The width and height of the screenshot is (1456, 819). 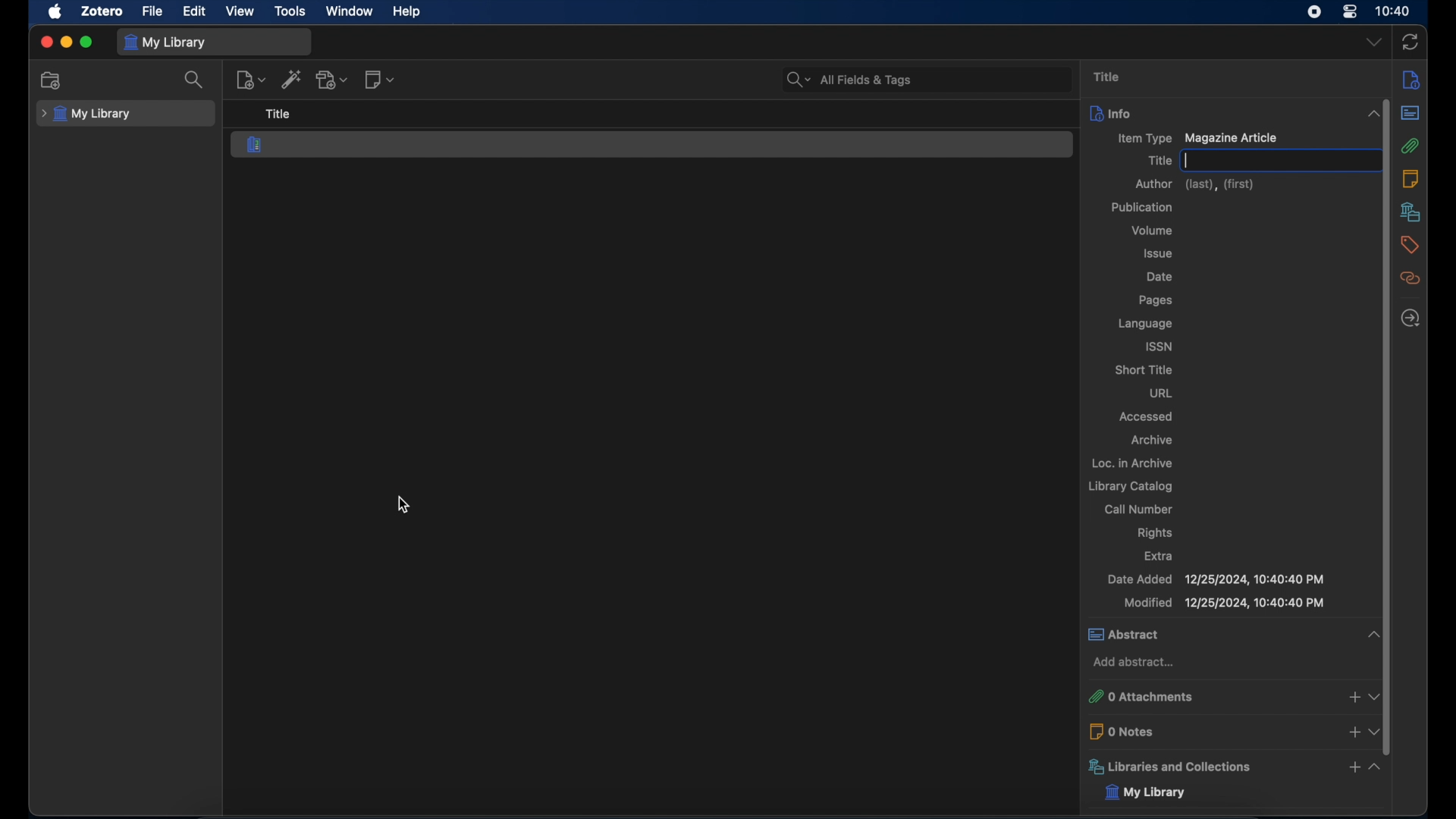 I want to click on library catalog, so click(x=1129, y=486).